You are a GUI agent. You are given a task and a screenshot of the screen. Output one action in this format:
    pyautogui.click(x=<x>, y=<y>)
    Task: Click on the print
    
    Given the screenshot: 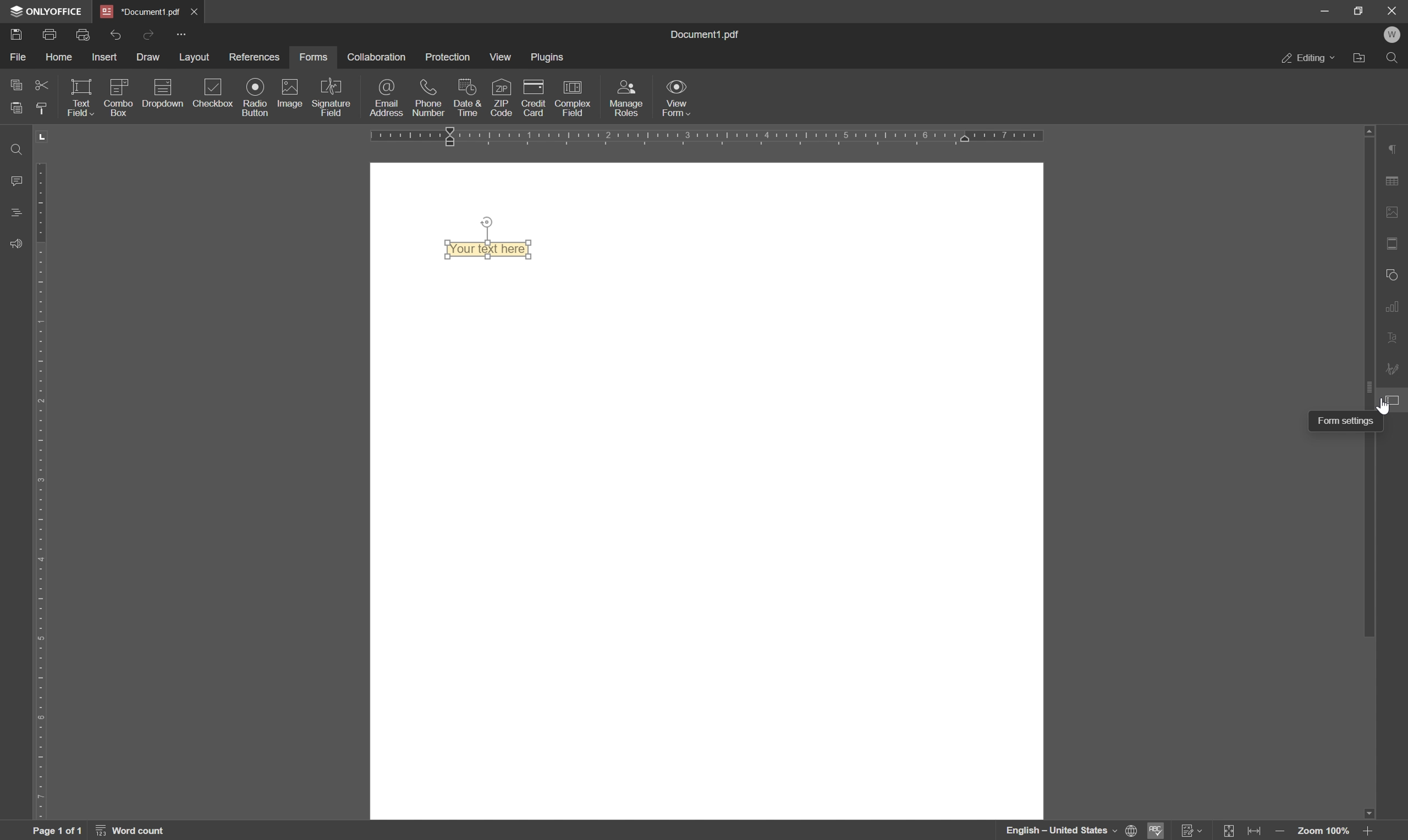 What is the action you would take?
    pyautogui.click(x=51, y=36)
    